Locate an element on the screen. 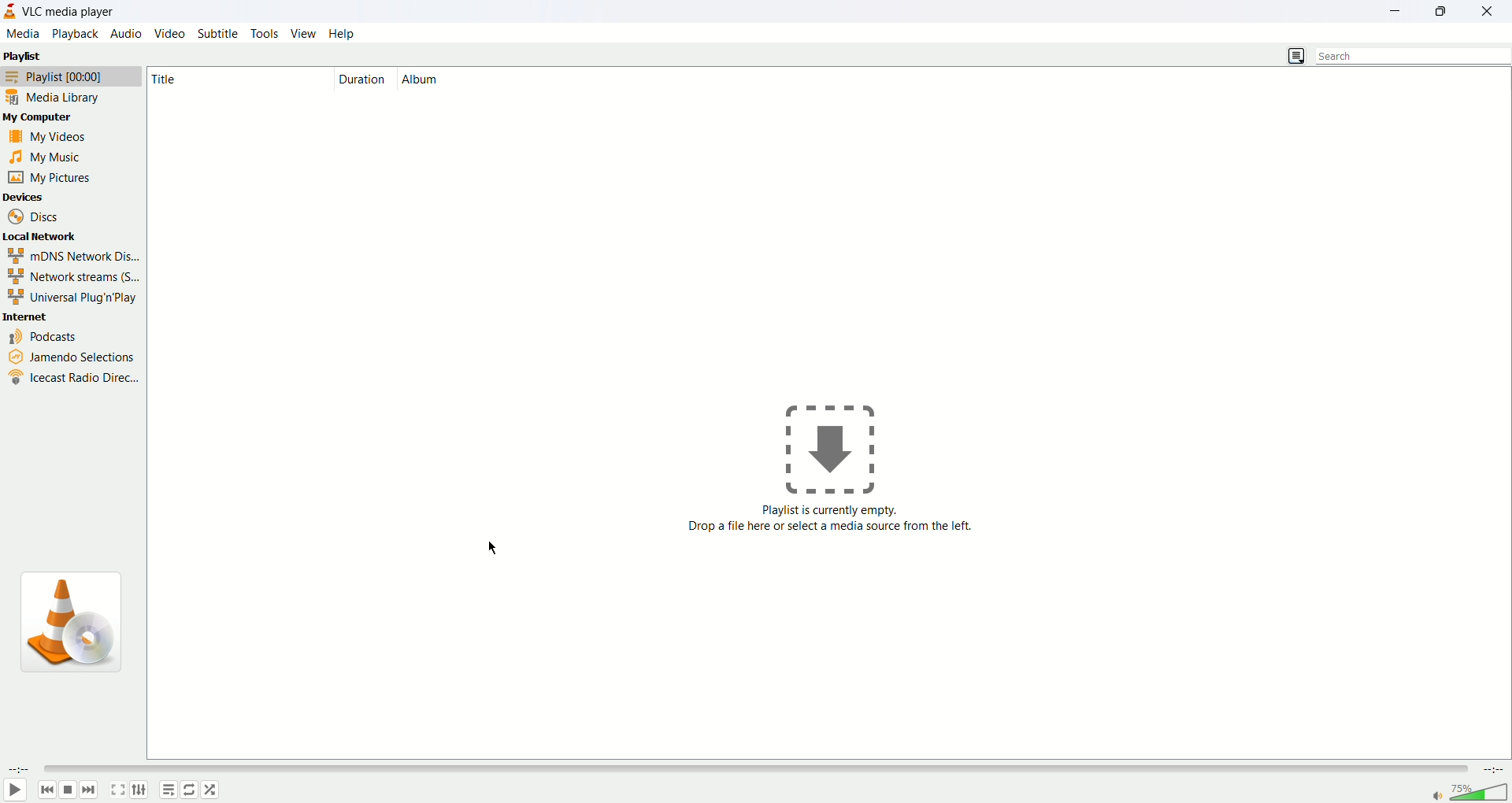  internet is located at coordinates (31, 318).